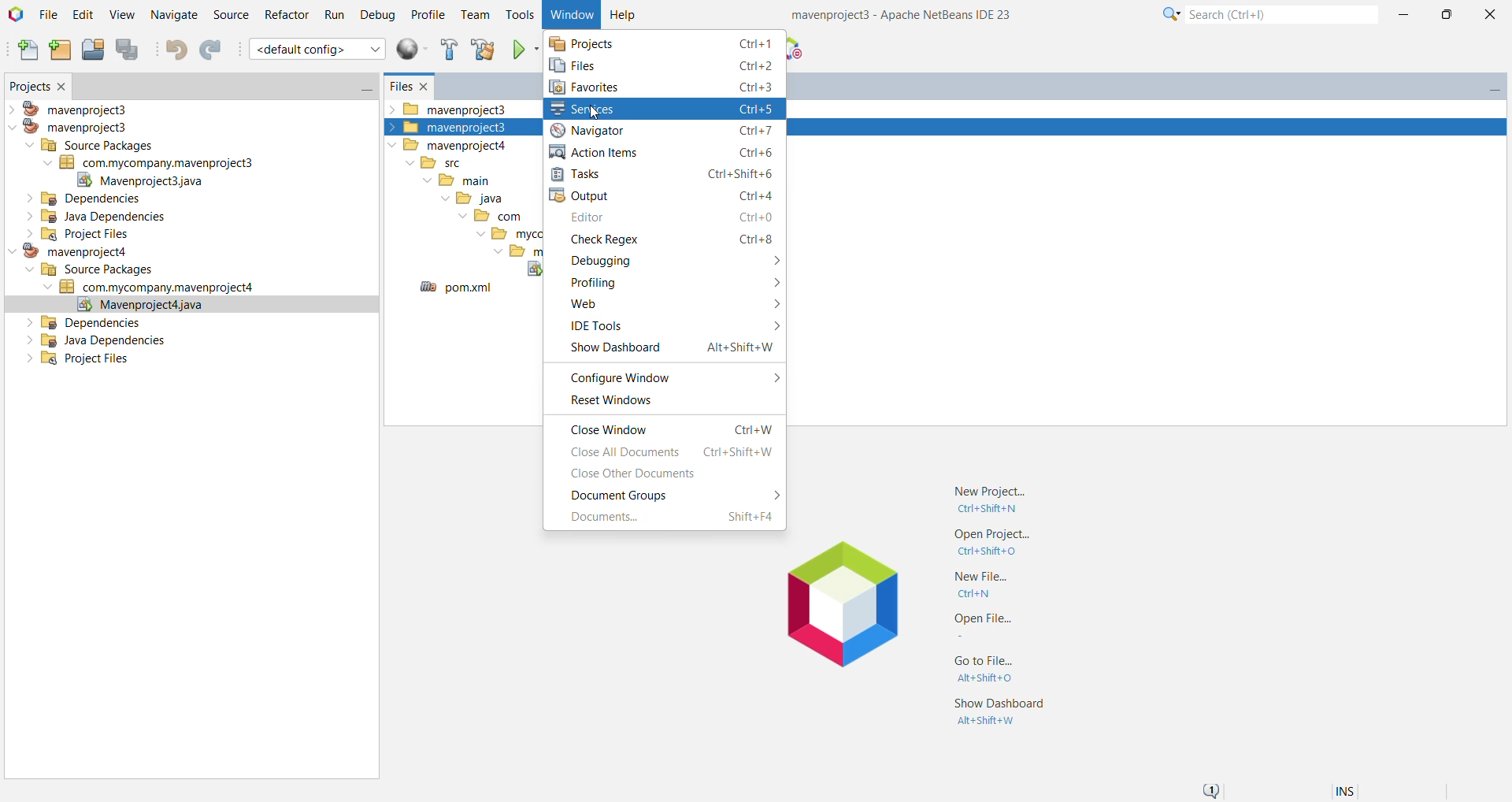 The image size is (1512, 802). Describe the element at coordinates (672, 261) in the screenshot. I see `Debugging` at that location.